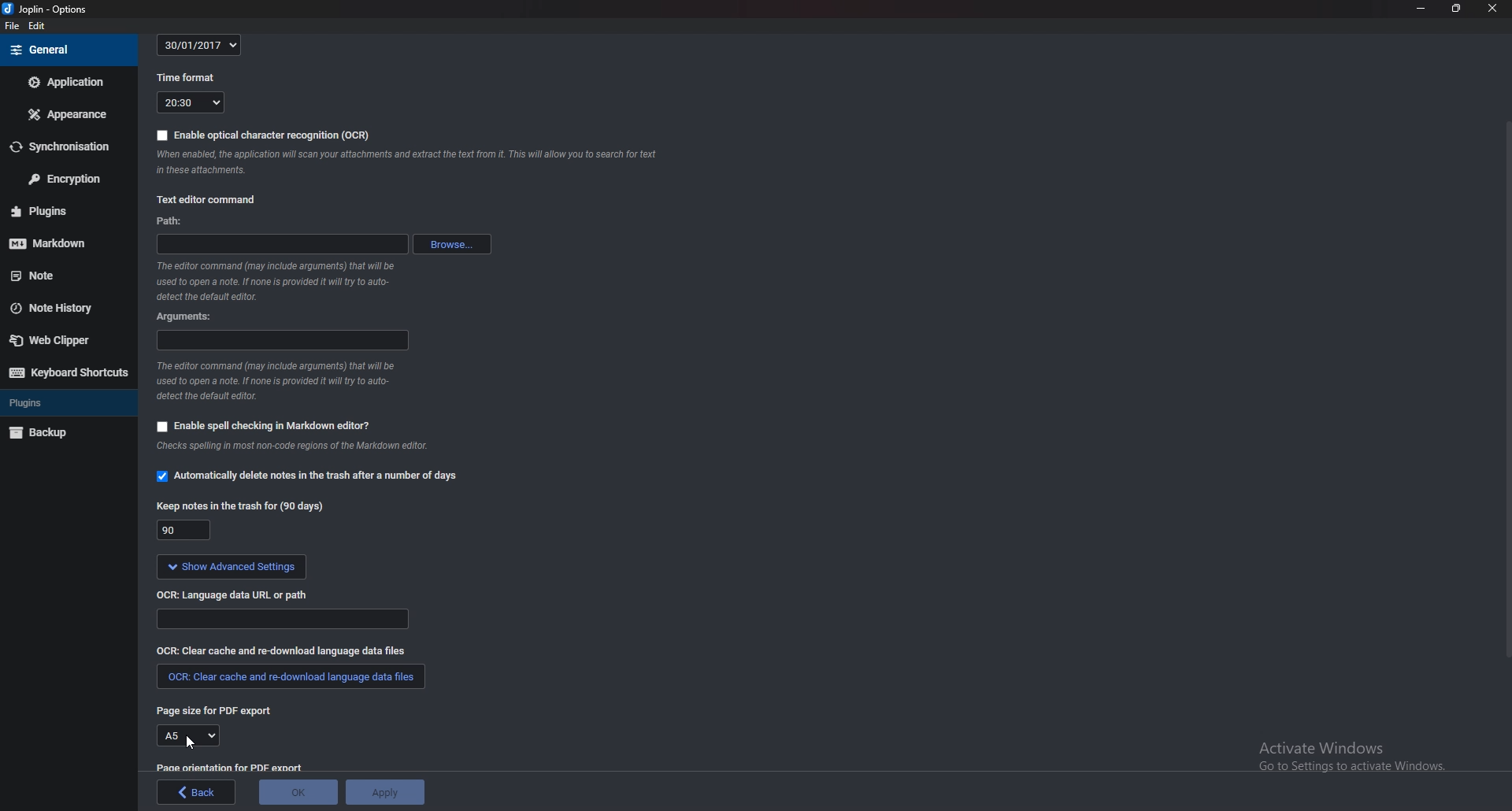 This screenshot has width=1512, height=811. I want to click on Minimize, so click(1422, 9).